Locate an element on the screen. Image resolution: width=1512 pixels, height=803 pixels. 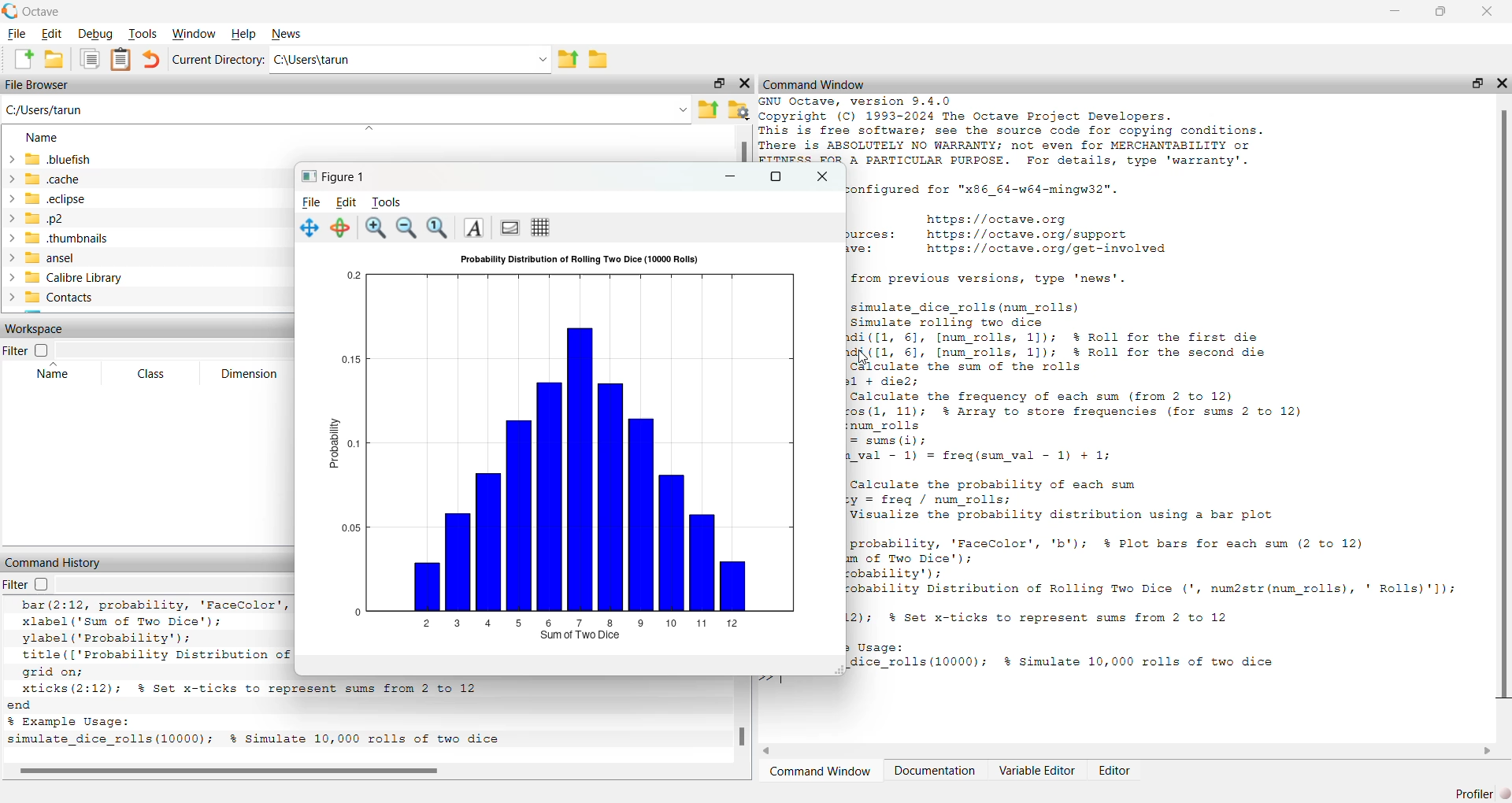
save as is located at coordinates (54, 58).